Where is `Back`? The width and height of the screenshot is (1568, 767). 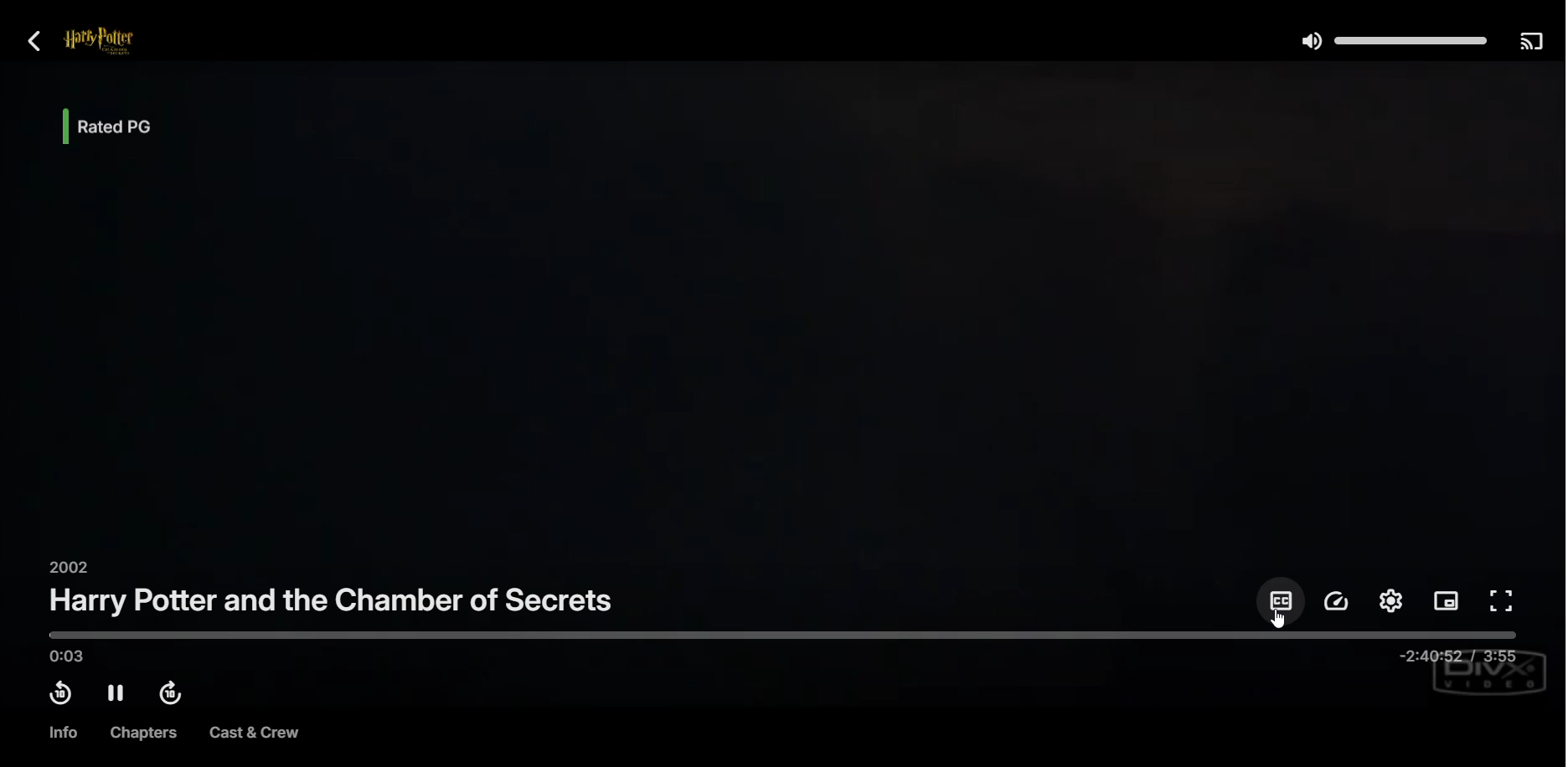
Back is located at coordinates (35, 40).